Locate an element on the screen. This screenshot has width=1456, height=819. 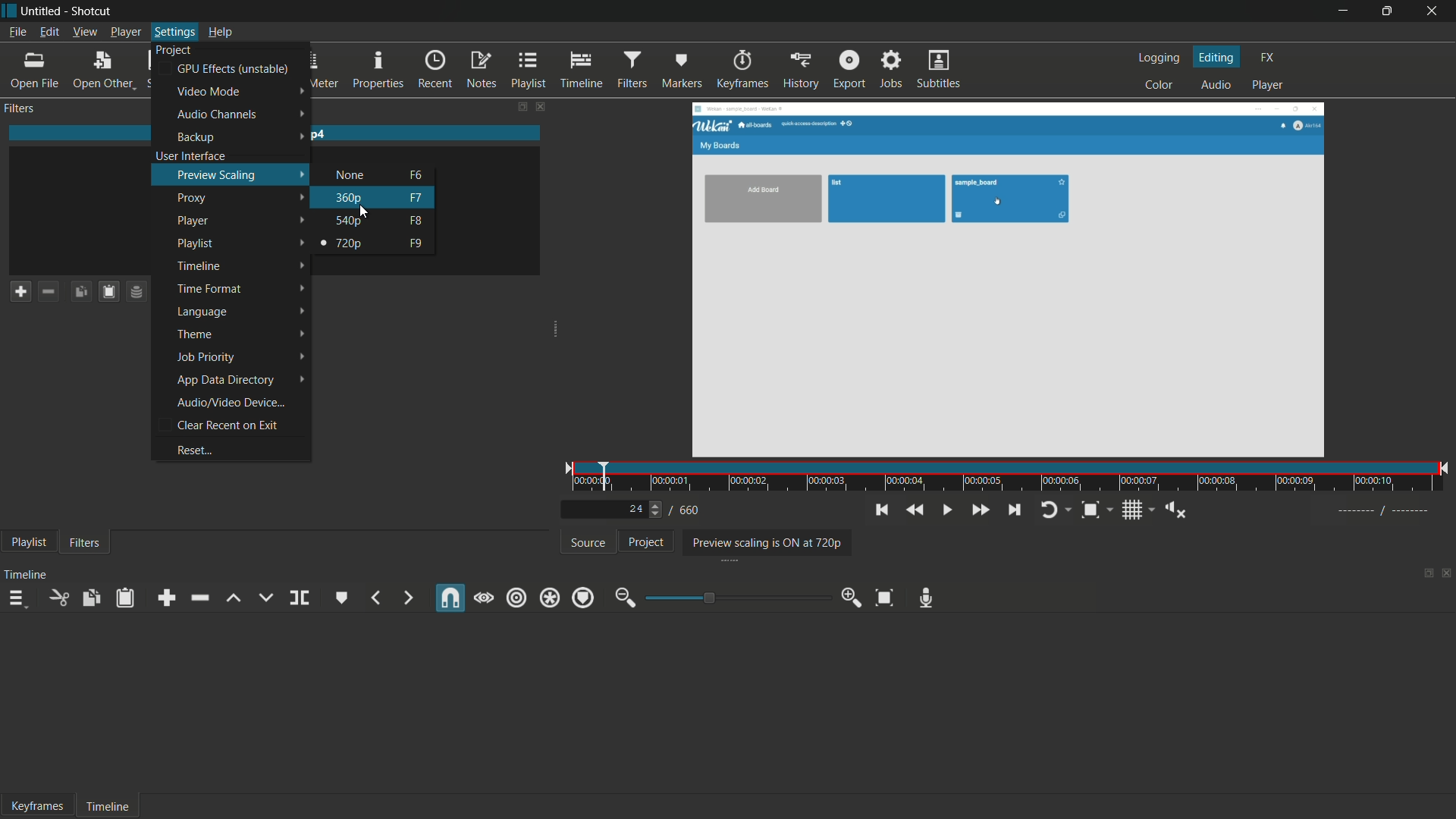
fx is located at coordinates (1267, 55).